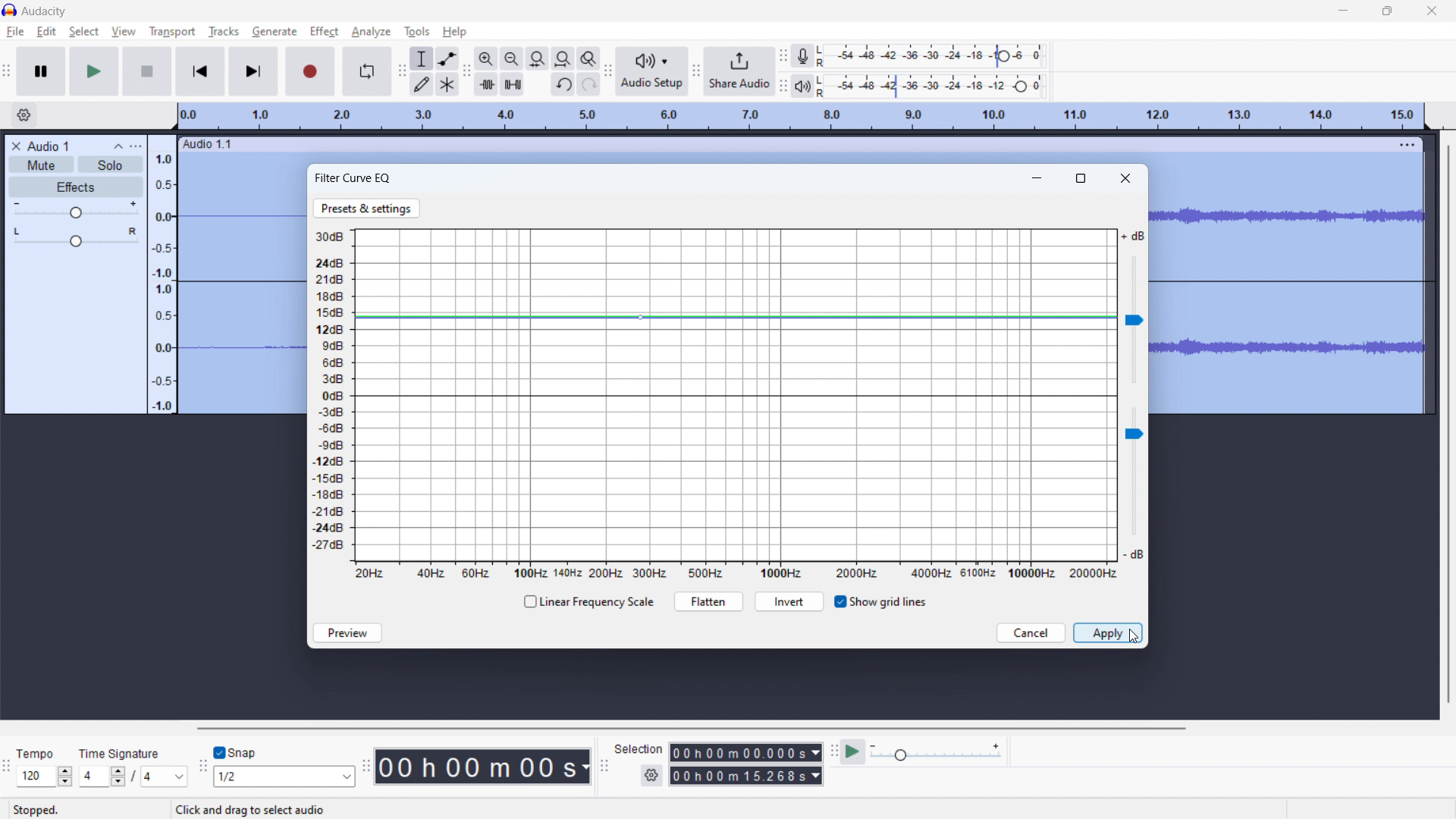 The height and width of the screenshot is (819, 1456). I want to click on toggle zoom, so click(589, 59).